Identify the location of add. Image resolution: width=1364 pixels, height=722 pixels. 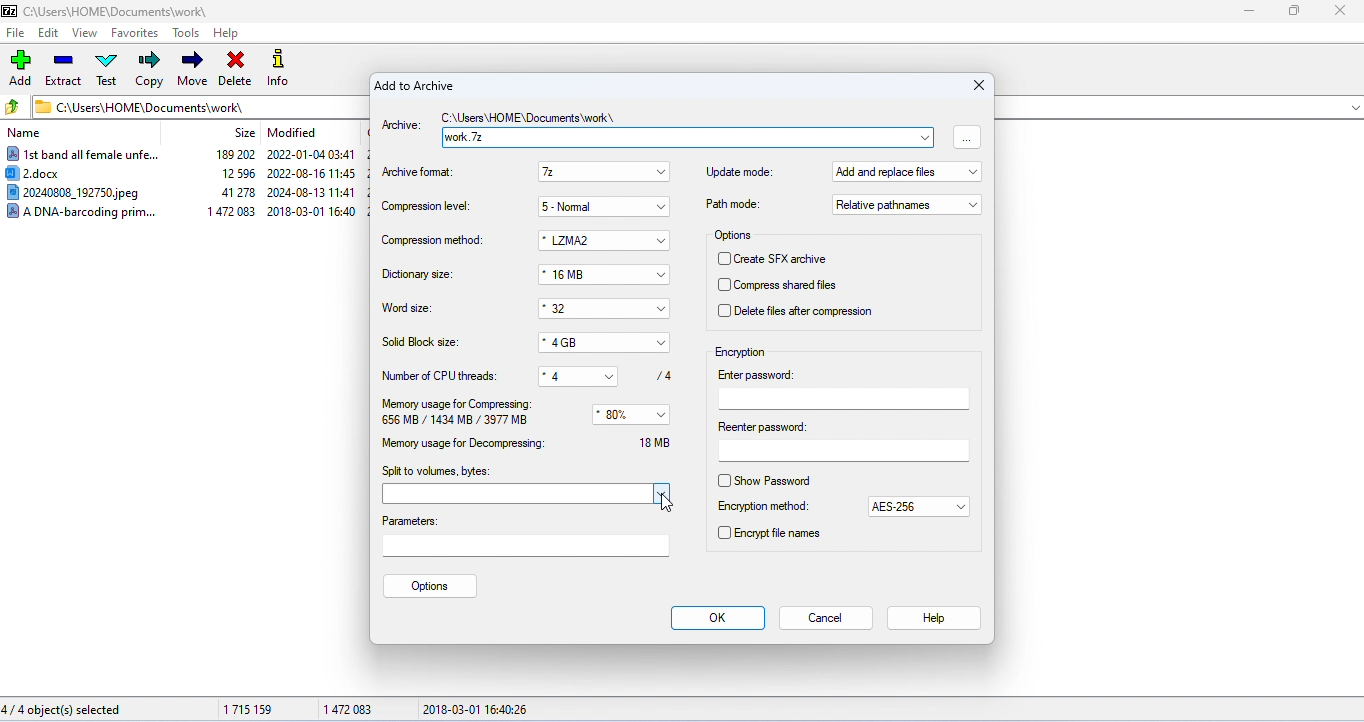
(22, 67).